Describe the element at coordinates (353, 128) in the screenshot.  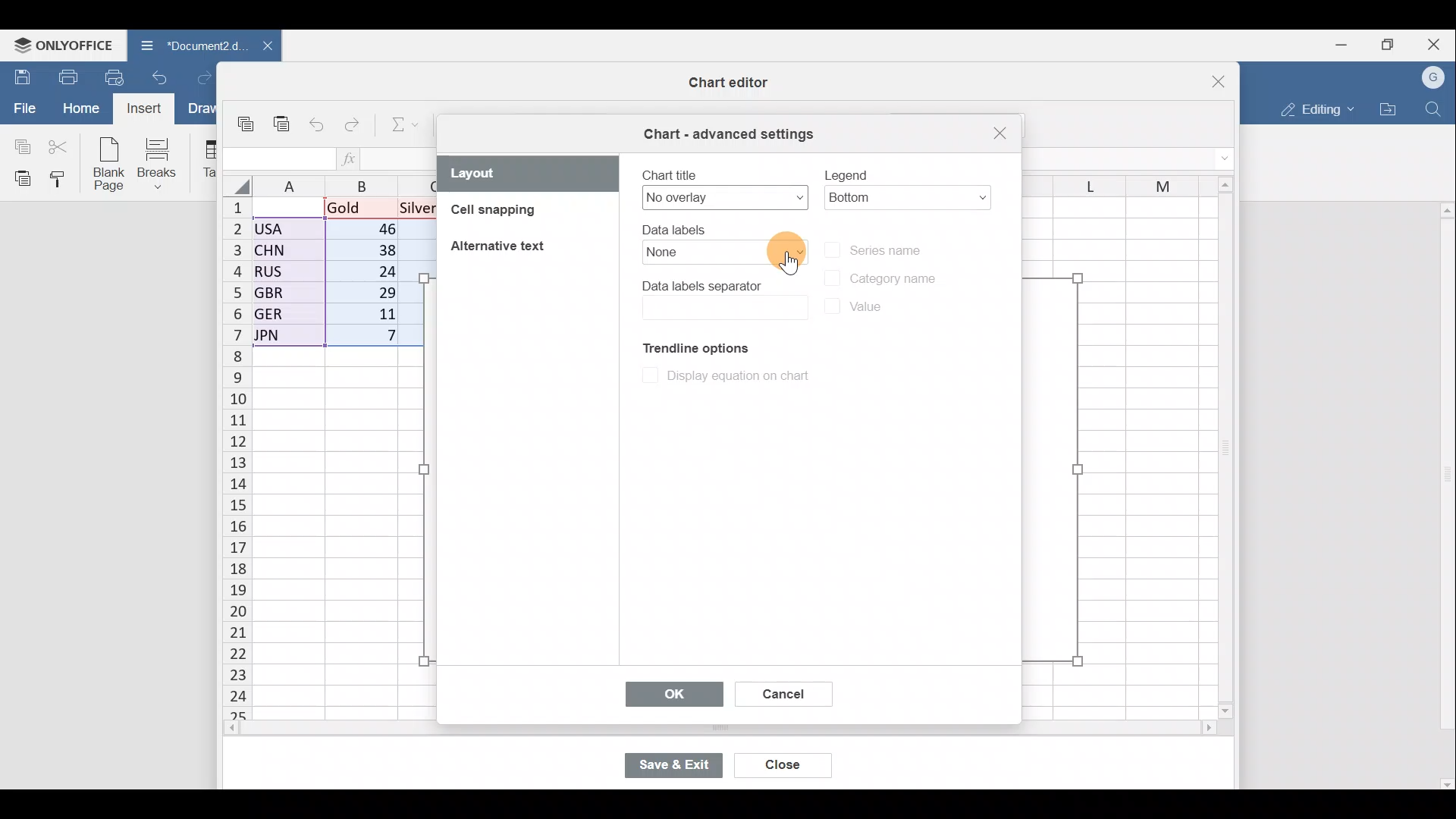
I see `Redo` at that location.